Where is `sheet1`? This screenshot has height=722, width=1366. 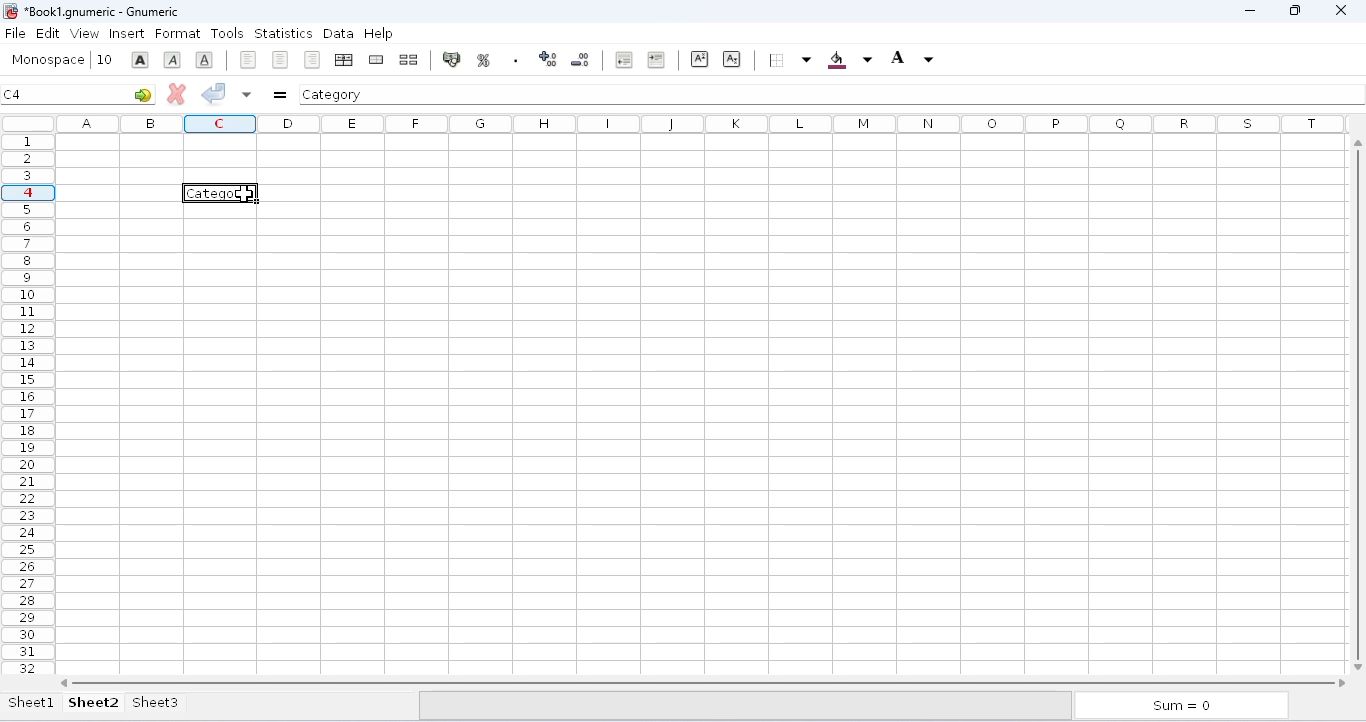
sheet1 is located at coordinates (32, 702).